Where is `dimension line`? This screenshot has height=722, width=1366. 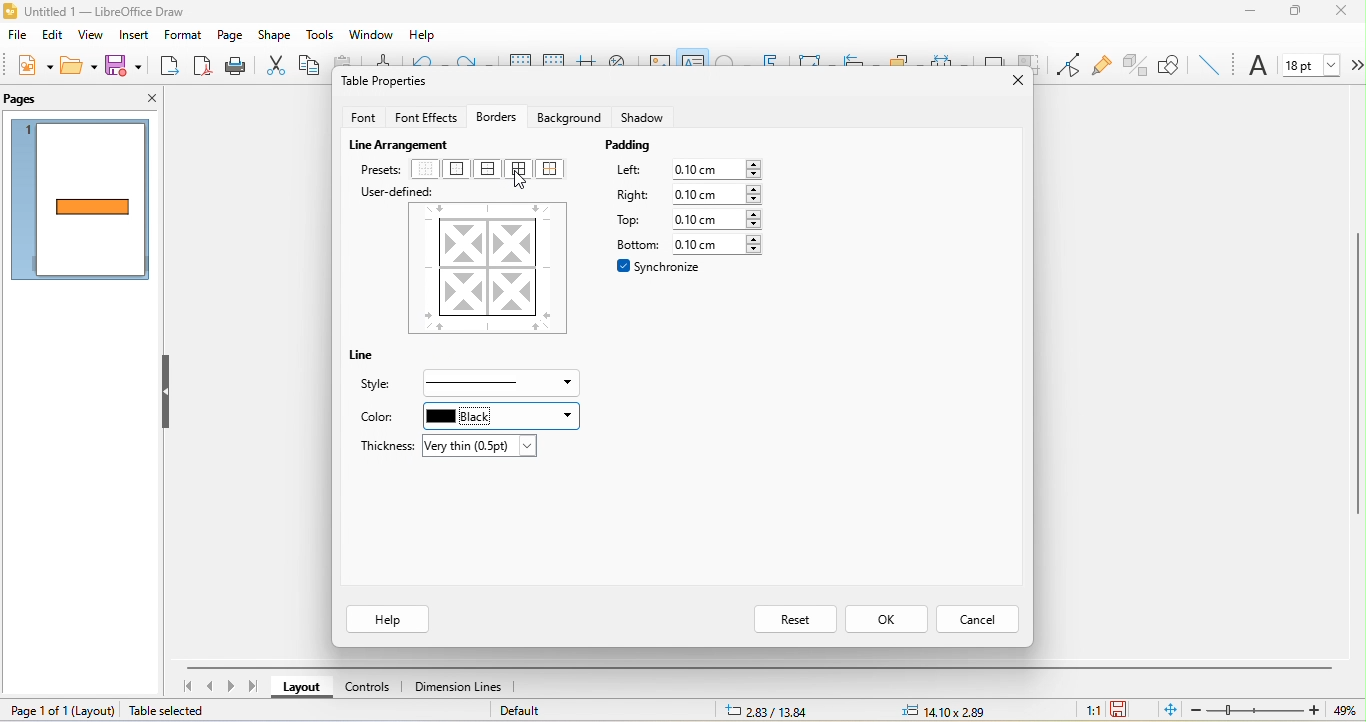
dimension line is located at coordinates (457, 685).